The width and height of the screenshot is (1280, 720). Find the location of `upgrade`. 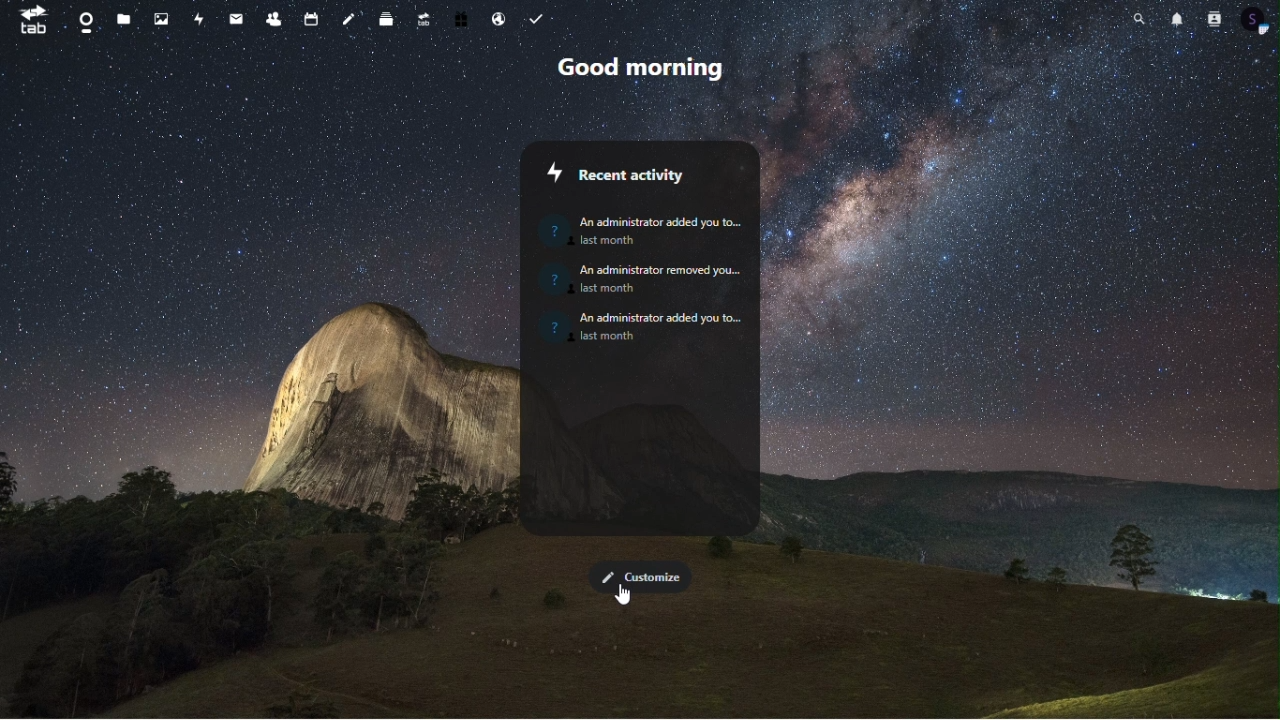

upgrade is located at coordinates (423, 20).